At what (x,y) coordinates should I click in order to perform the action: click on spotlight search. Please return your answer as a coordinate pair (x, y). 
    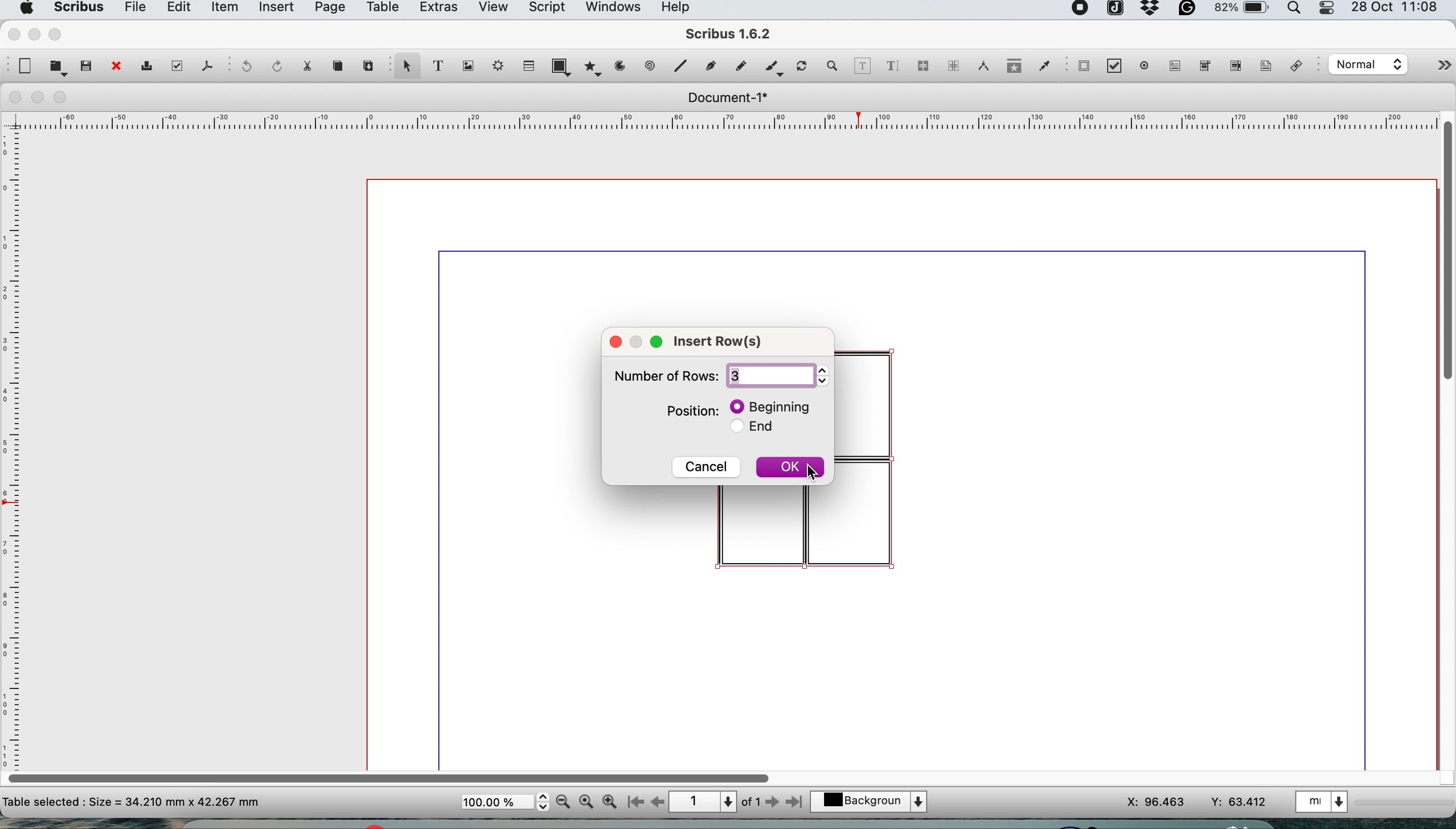
    Looking at the image, I should click on (1297, 11).